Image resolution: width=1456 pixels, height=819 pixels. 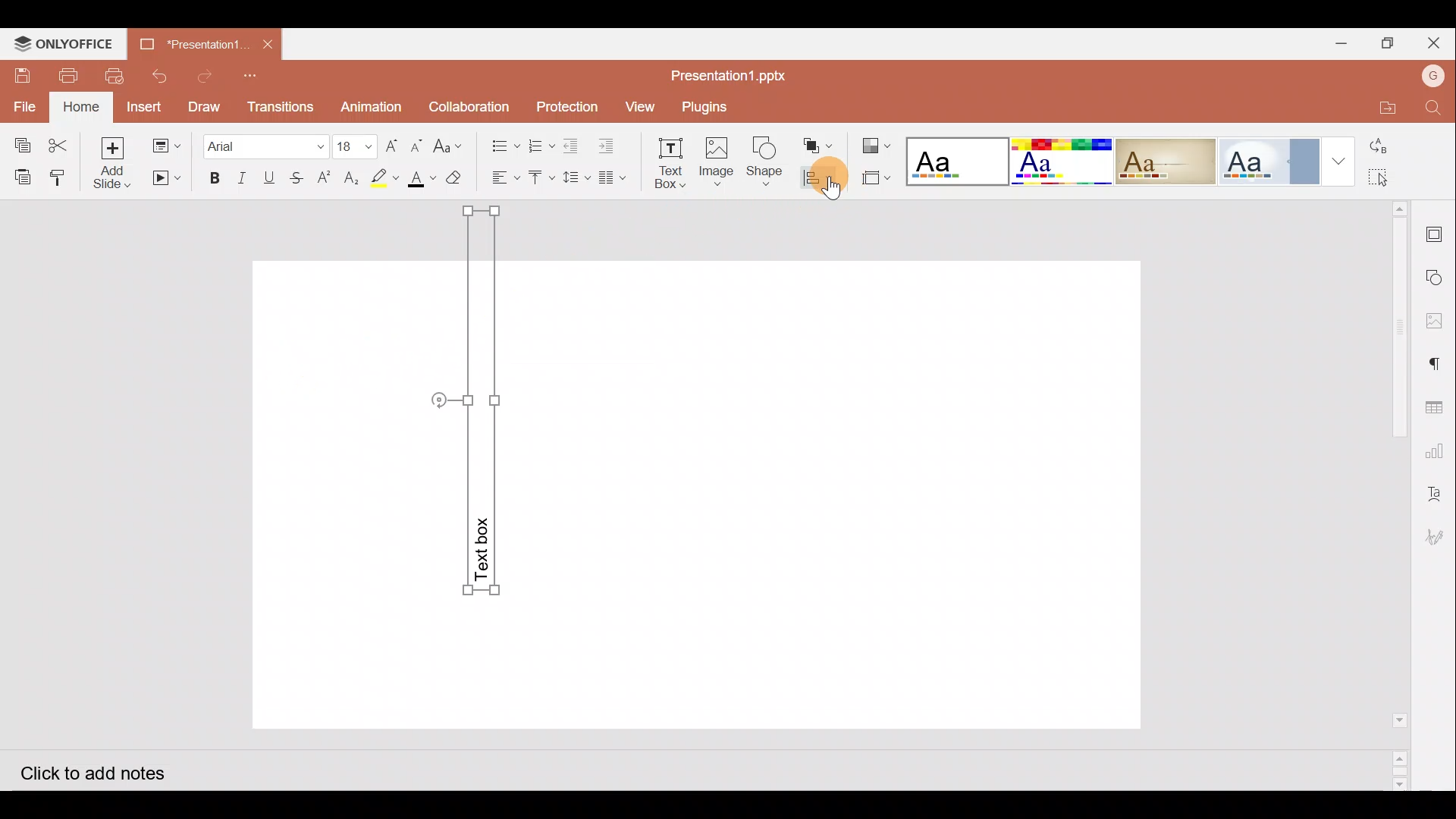 What do you see at coordinates (165, 178) in the screenshot?
I see `Start slideshow` at bounding box center [165, 178].